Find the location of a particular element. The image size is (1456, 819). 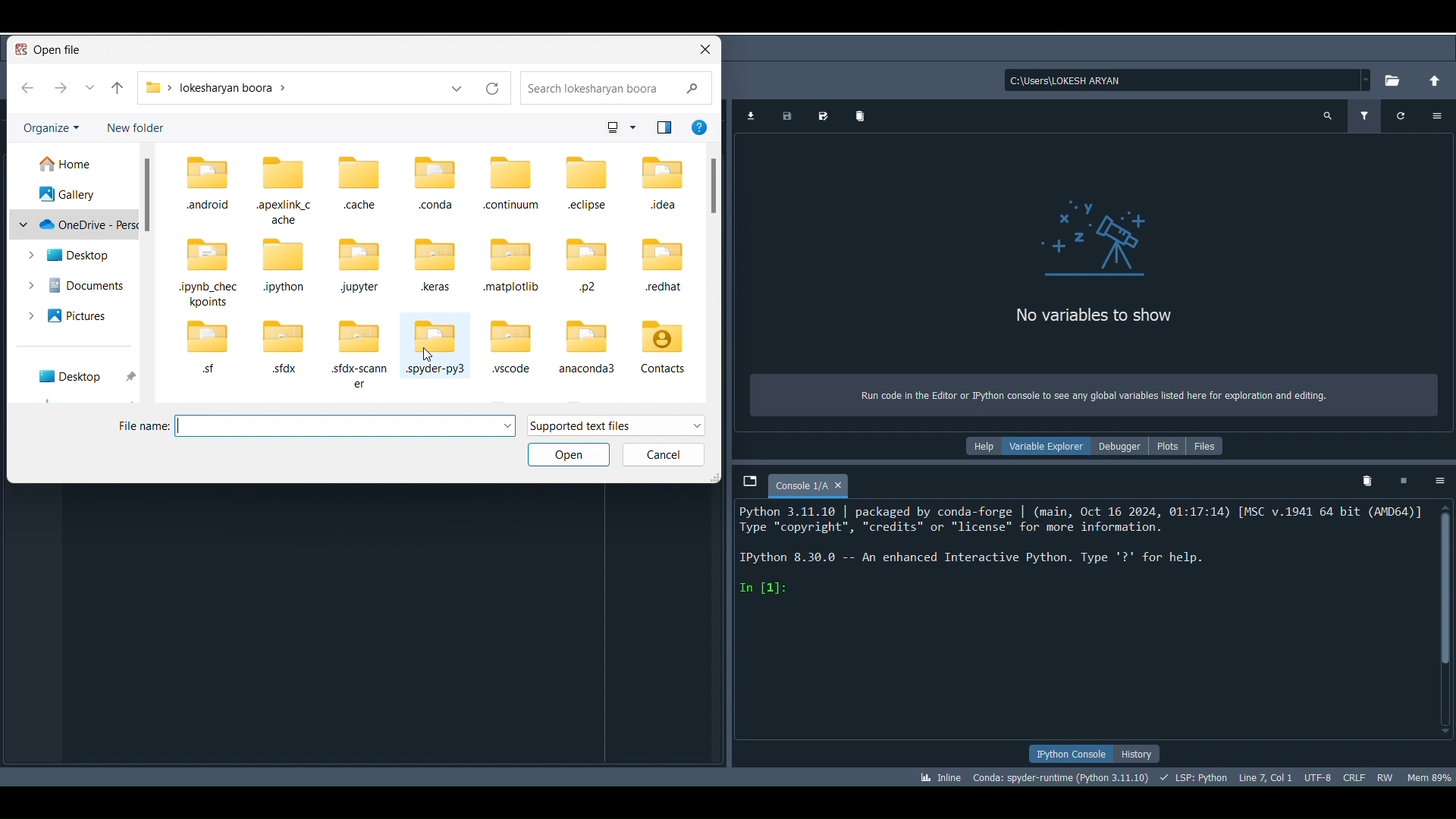

Folder is located at coordinates (358, 265).